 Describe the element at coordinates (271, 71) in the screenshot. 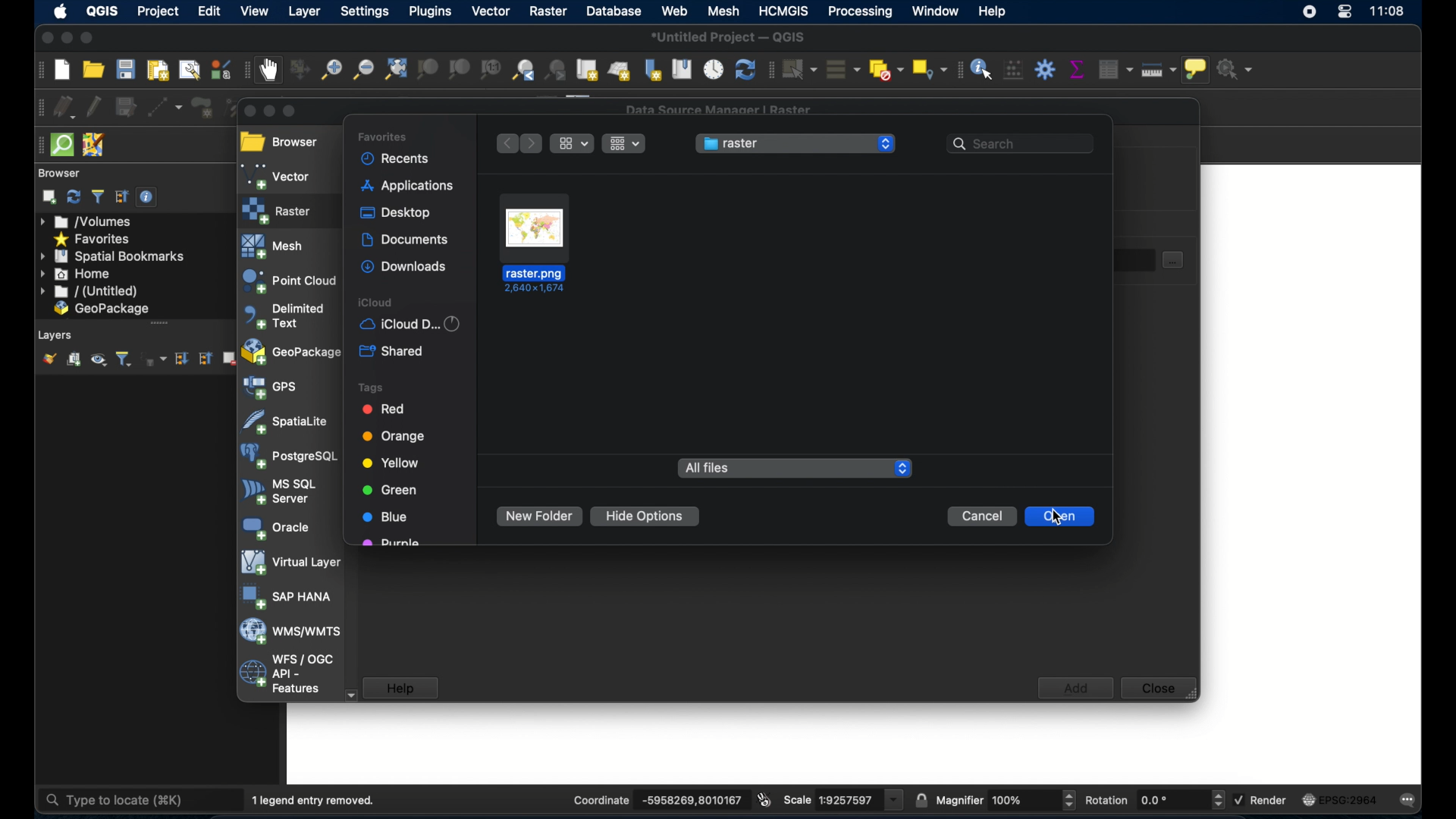

I see `pan map` at that location.